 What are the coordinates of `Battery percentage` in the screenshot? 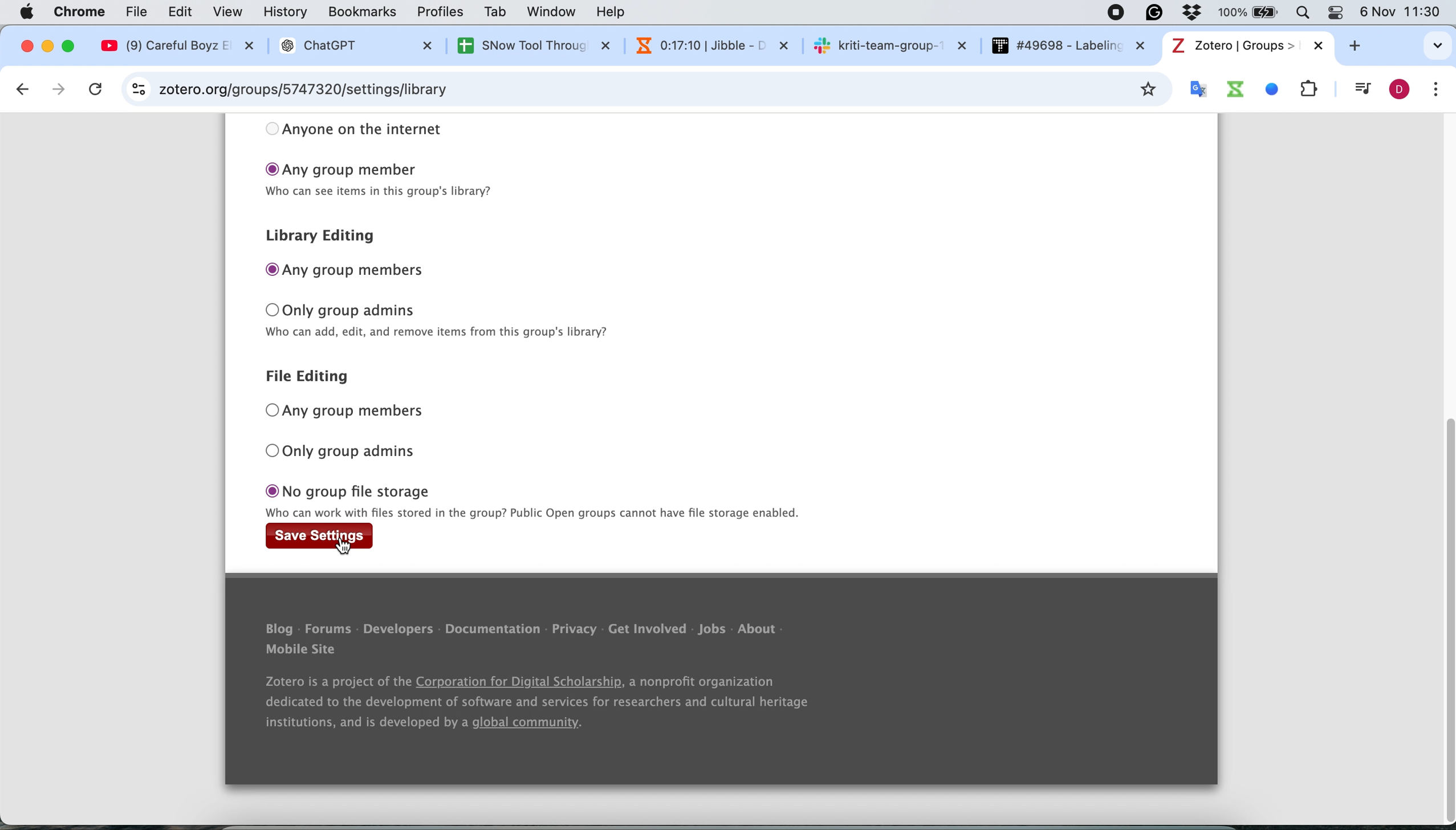 It's located at (1250, 13).